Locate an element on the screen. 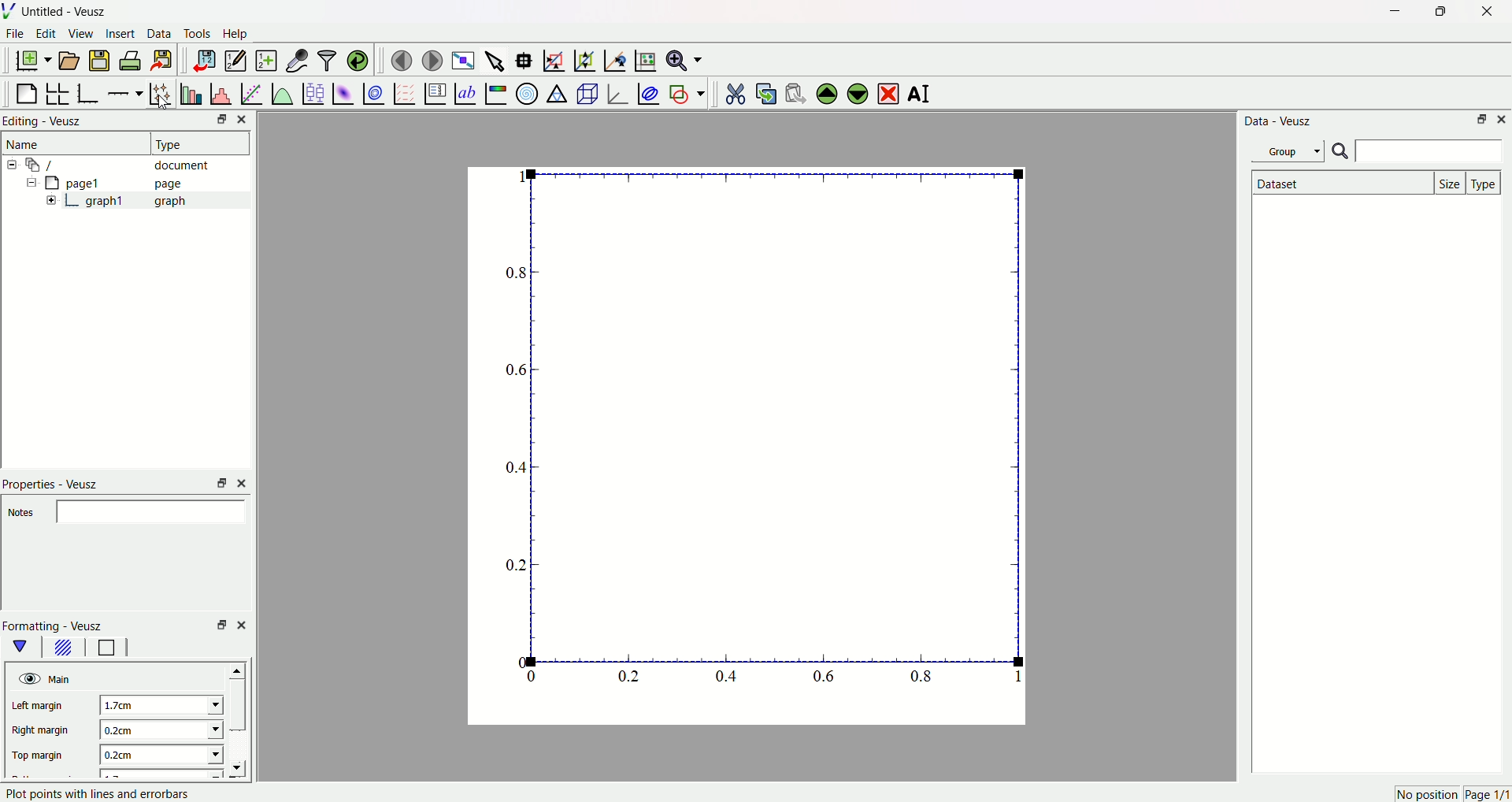 The width and height of the screenshot is (1512, 802). plot key is located at coordinates (434, 91).